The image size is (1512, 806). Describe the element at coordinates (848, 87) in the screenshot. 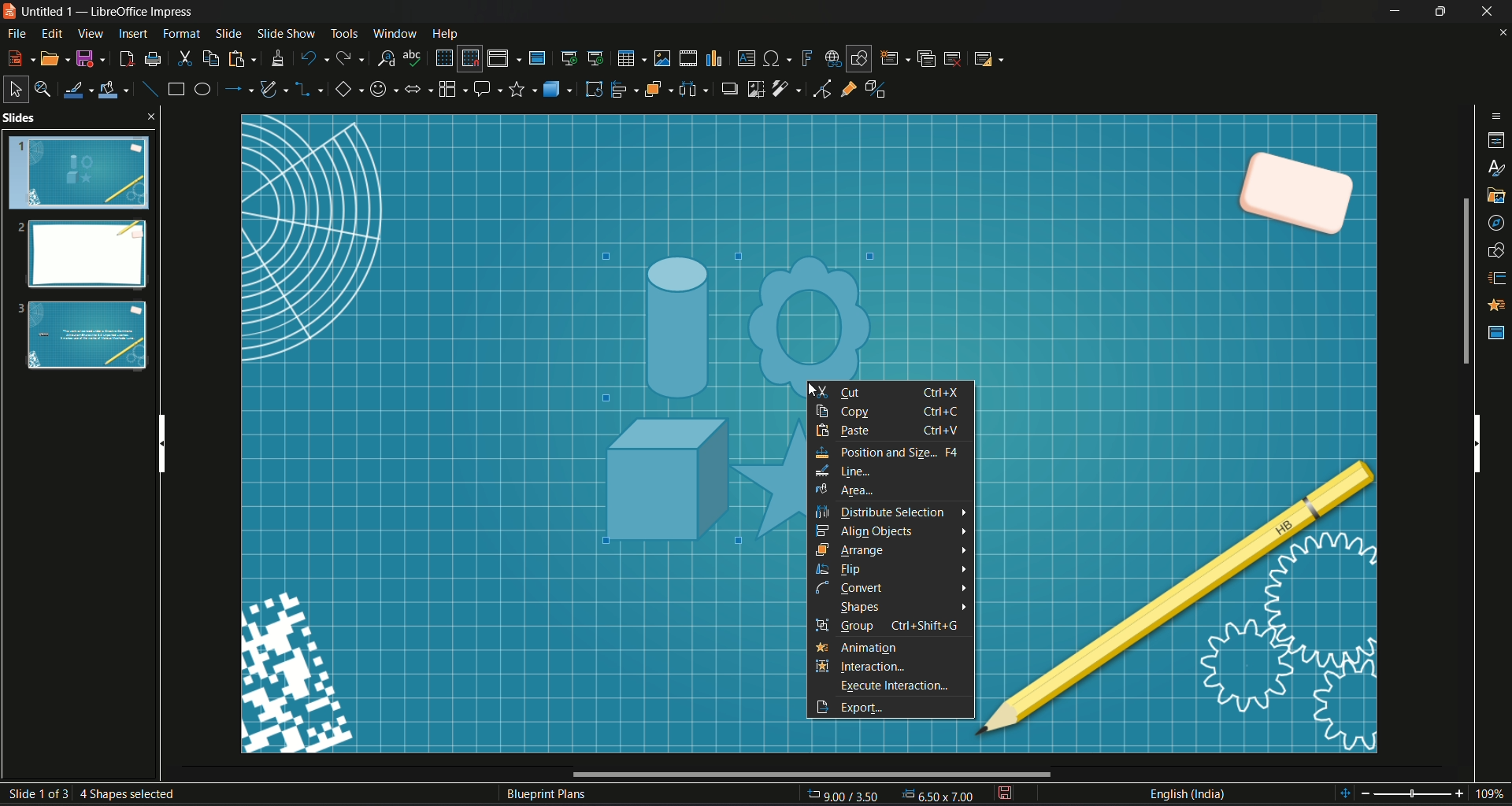

I see `gluepoint` at that location.